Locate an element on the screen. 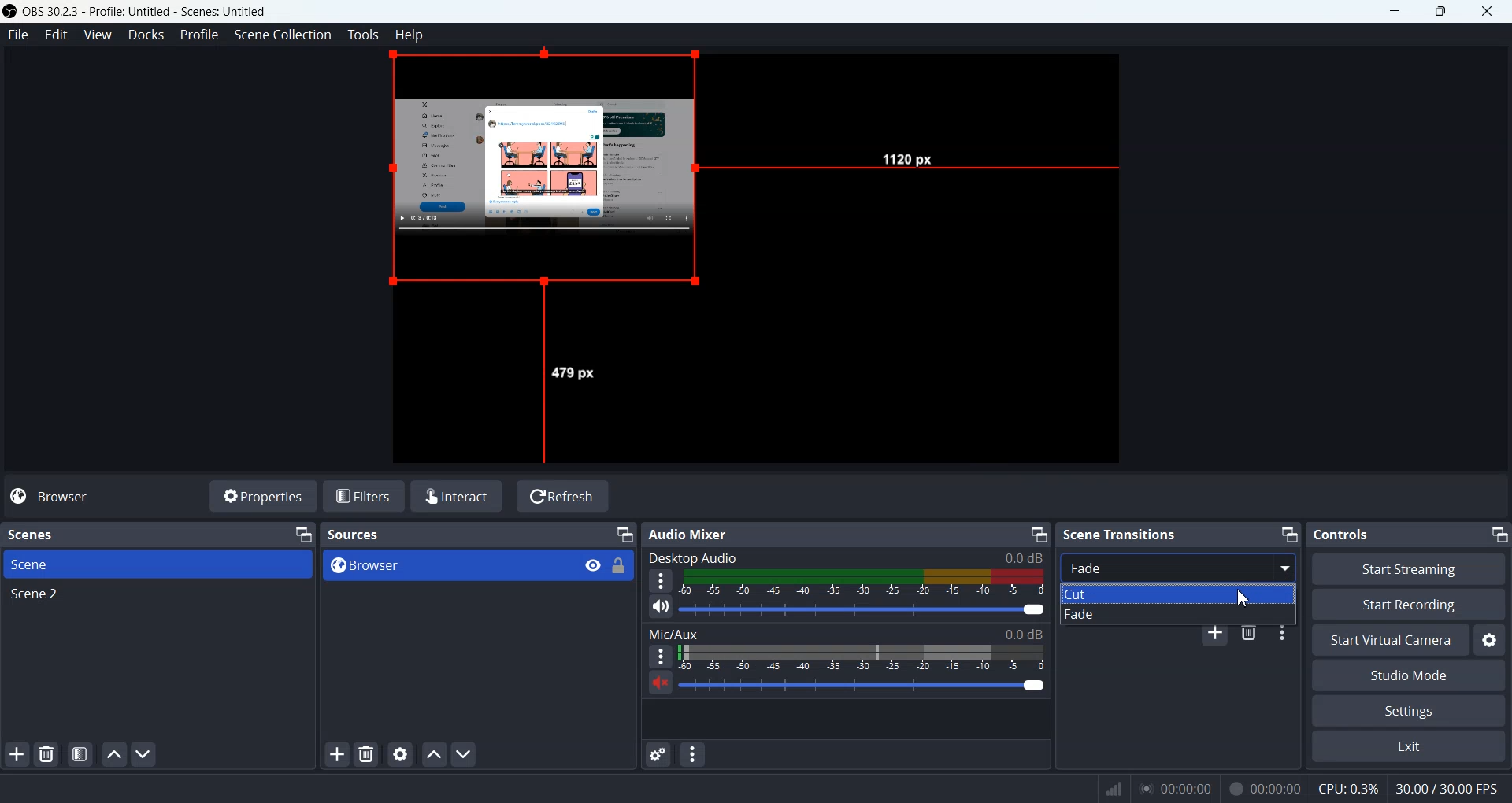 The height and width of the screenshot is (803, 1512). cursor is located at coordinates (1247, 598).